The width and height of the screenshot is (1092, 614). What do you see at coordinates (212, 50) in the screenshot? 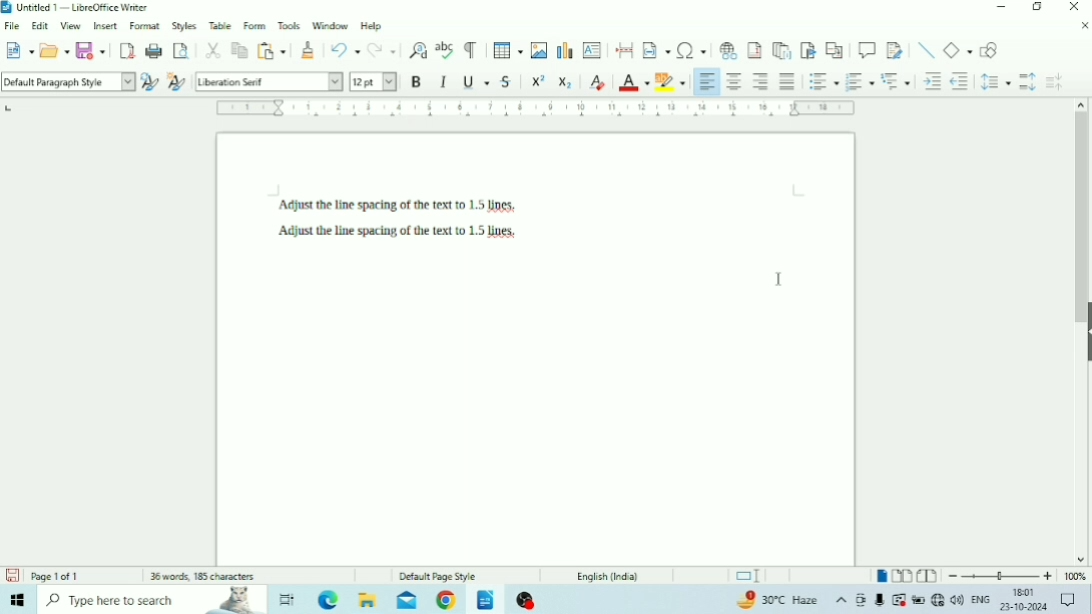
I see `Cut` at bounding box center [212, 50].